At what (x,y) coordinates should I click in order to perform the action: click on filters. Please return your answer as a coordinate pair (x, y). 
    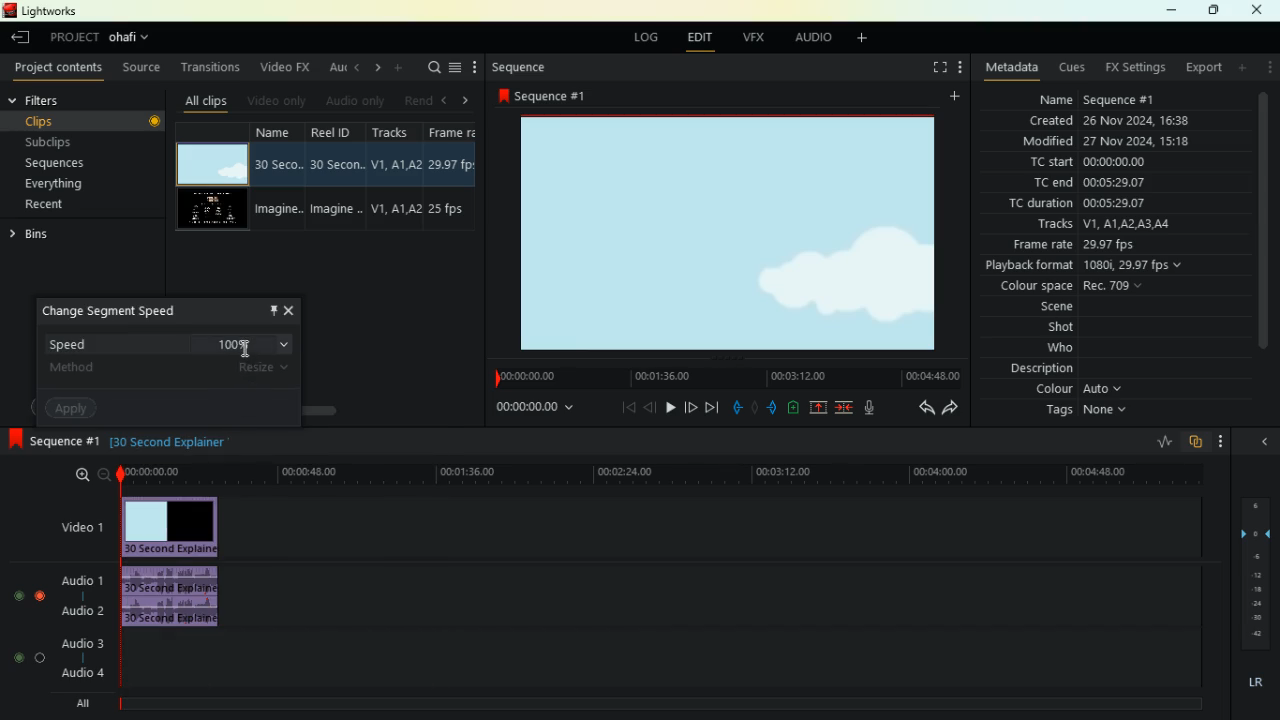
    Looking at the image, I should click on (57, 99).